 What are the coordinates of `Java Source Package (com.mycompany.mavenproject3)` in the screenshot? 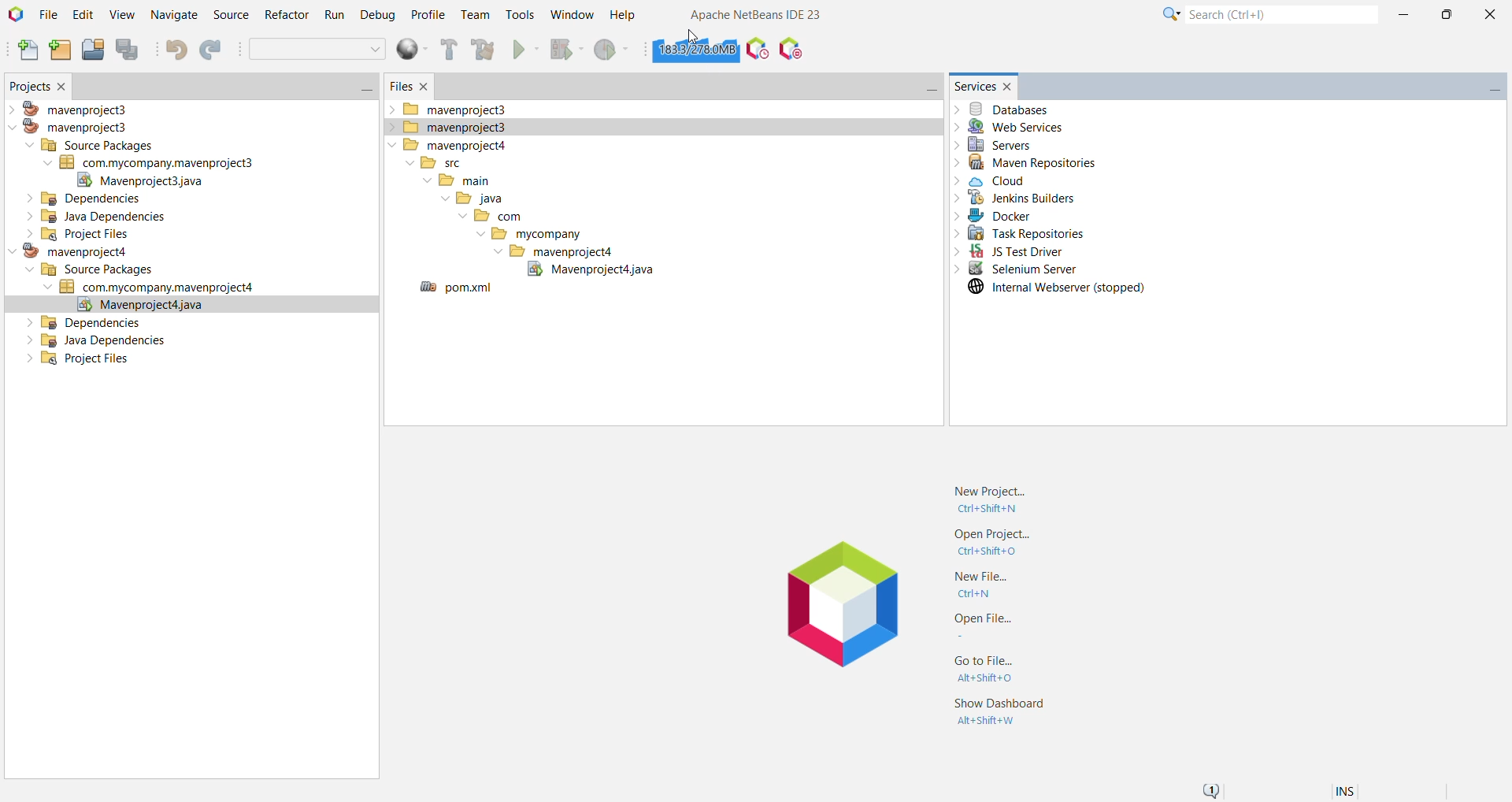 It's located at (162, 163).